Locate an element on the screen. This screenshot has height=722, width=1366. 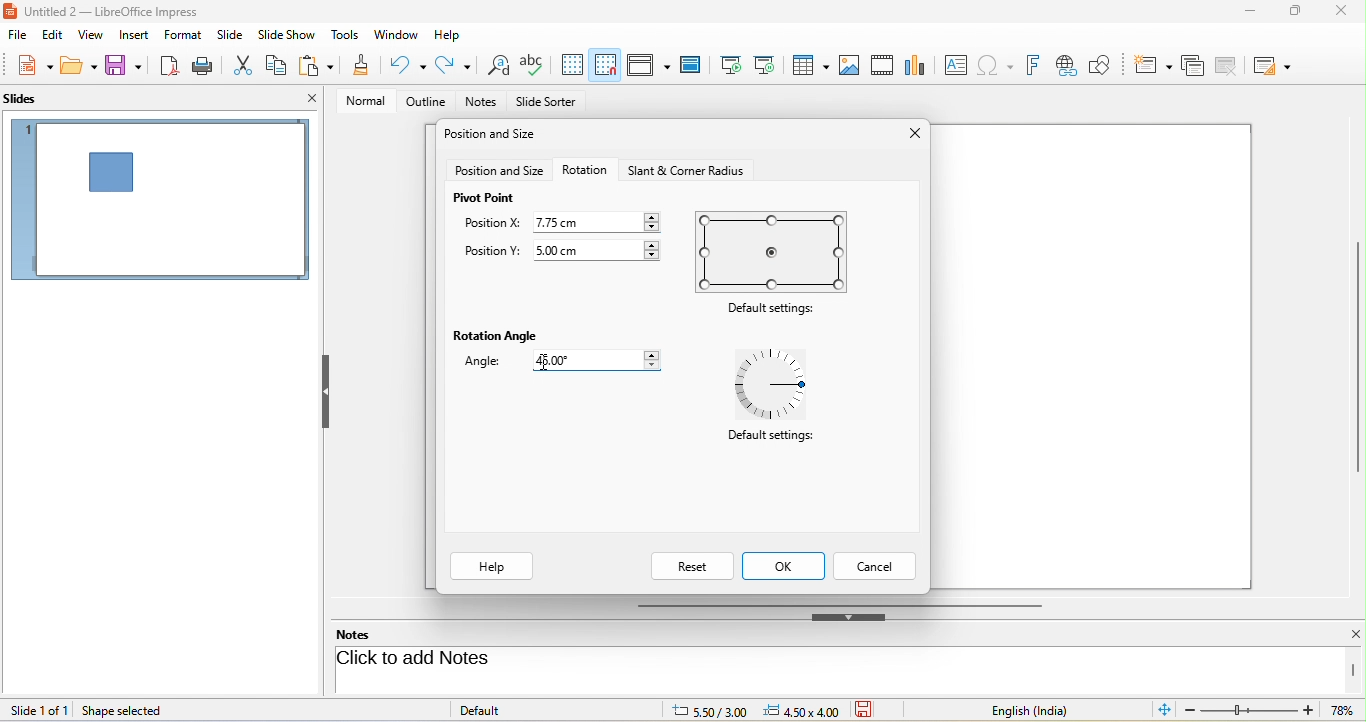
hyperlink is located at coordinates (1070, 66).